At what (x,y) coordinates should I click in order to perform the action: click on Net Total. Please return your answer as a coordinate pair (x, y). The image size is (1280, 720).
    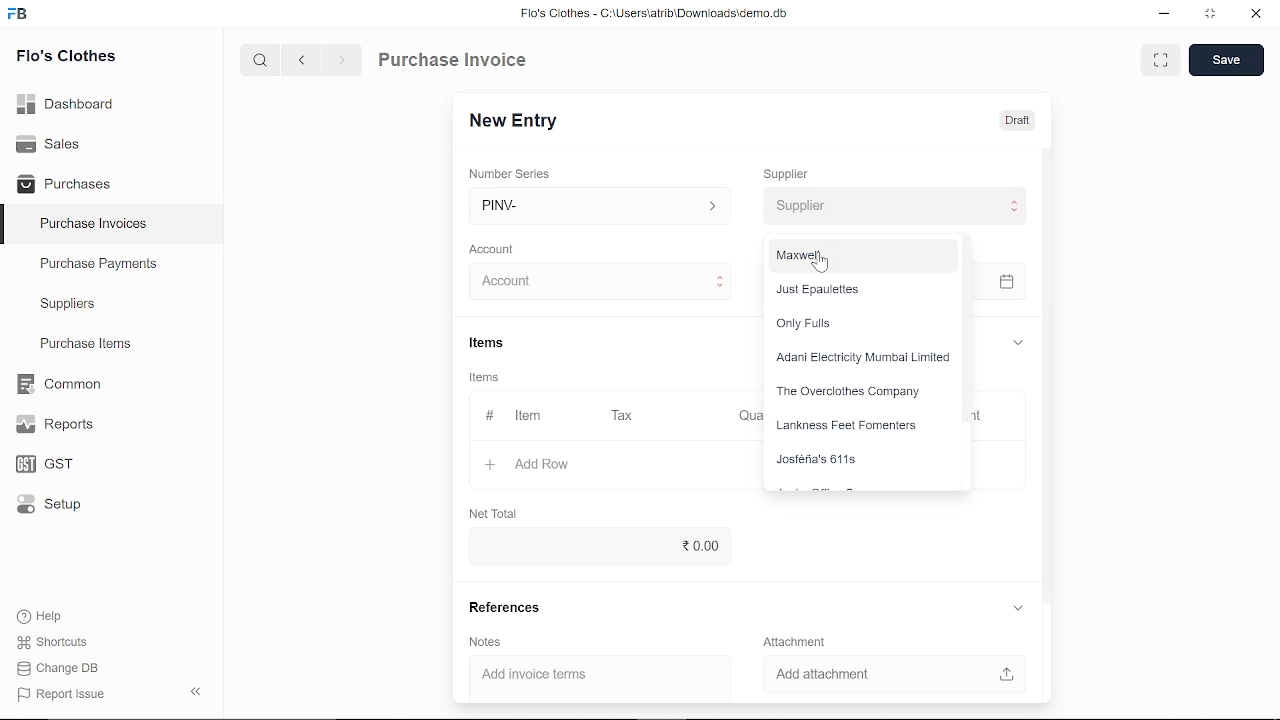
    Looking at the image, I should click on (497, 513).